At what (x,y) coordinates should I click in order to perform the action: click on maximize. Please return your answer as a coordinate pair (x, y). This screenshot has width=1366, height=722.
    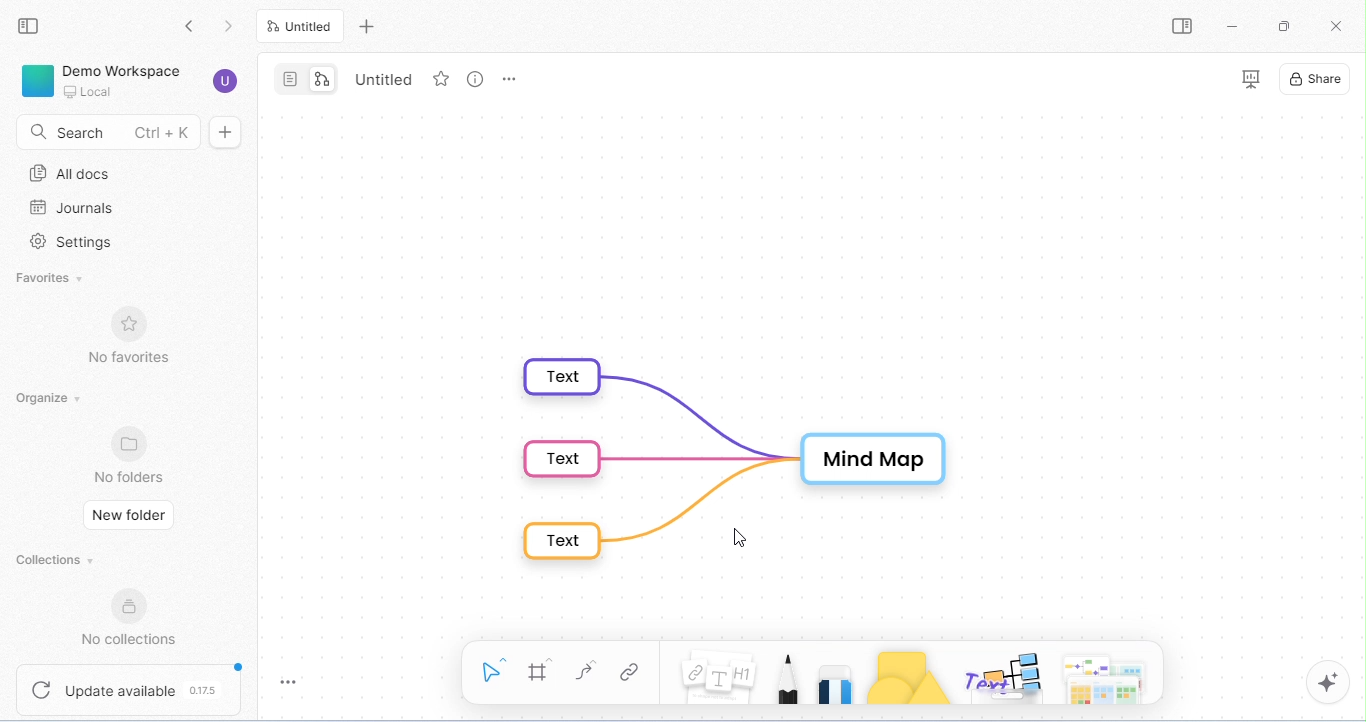
    Looking at the image, I should click on (1286, 26).